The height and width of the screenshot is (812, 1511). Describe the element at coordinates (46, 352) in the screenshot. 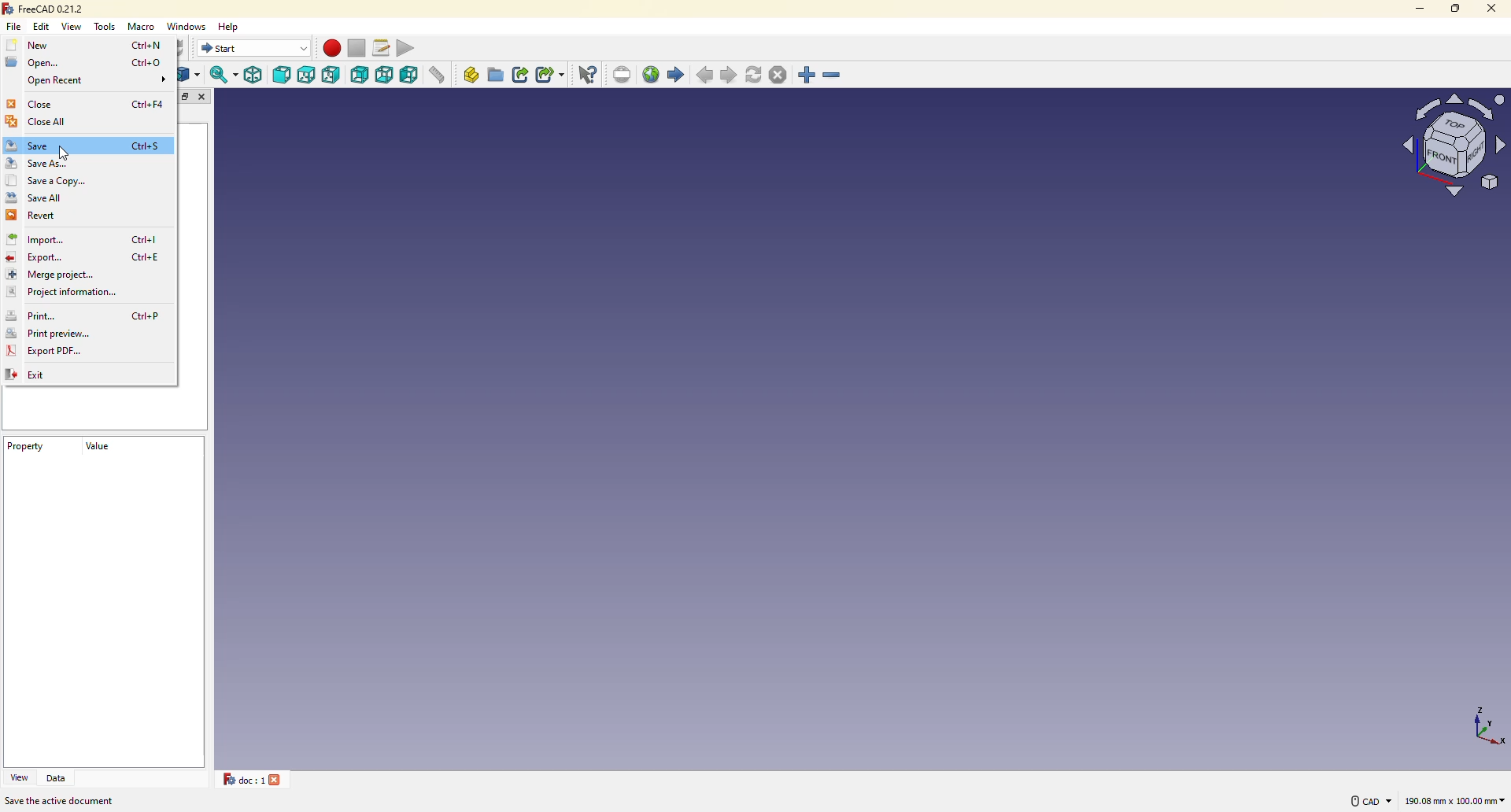

I see `export pdf` at that location.